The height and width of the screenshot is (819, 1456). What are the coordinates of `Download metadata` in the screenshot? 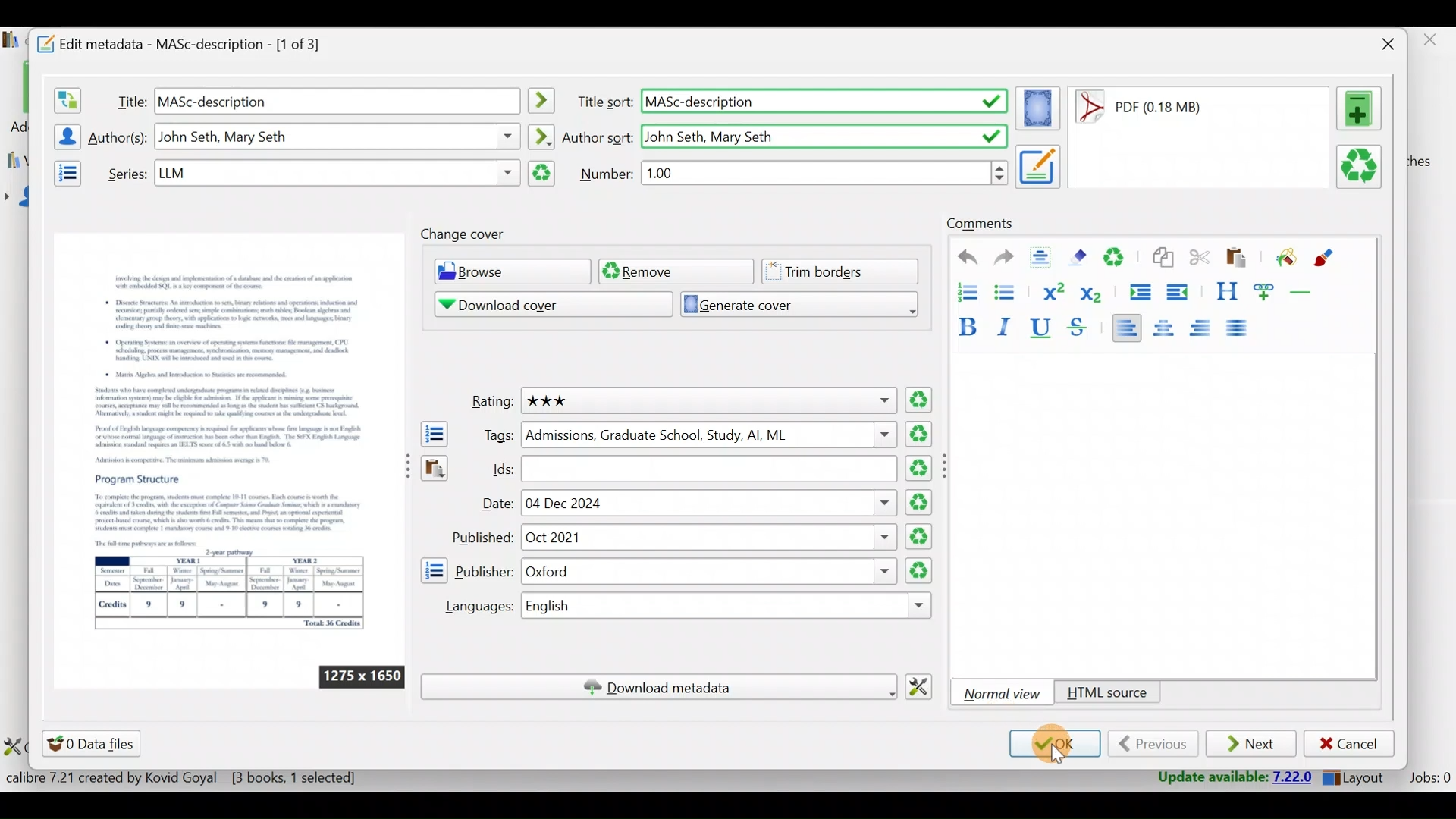 It's located at (658, 687).